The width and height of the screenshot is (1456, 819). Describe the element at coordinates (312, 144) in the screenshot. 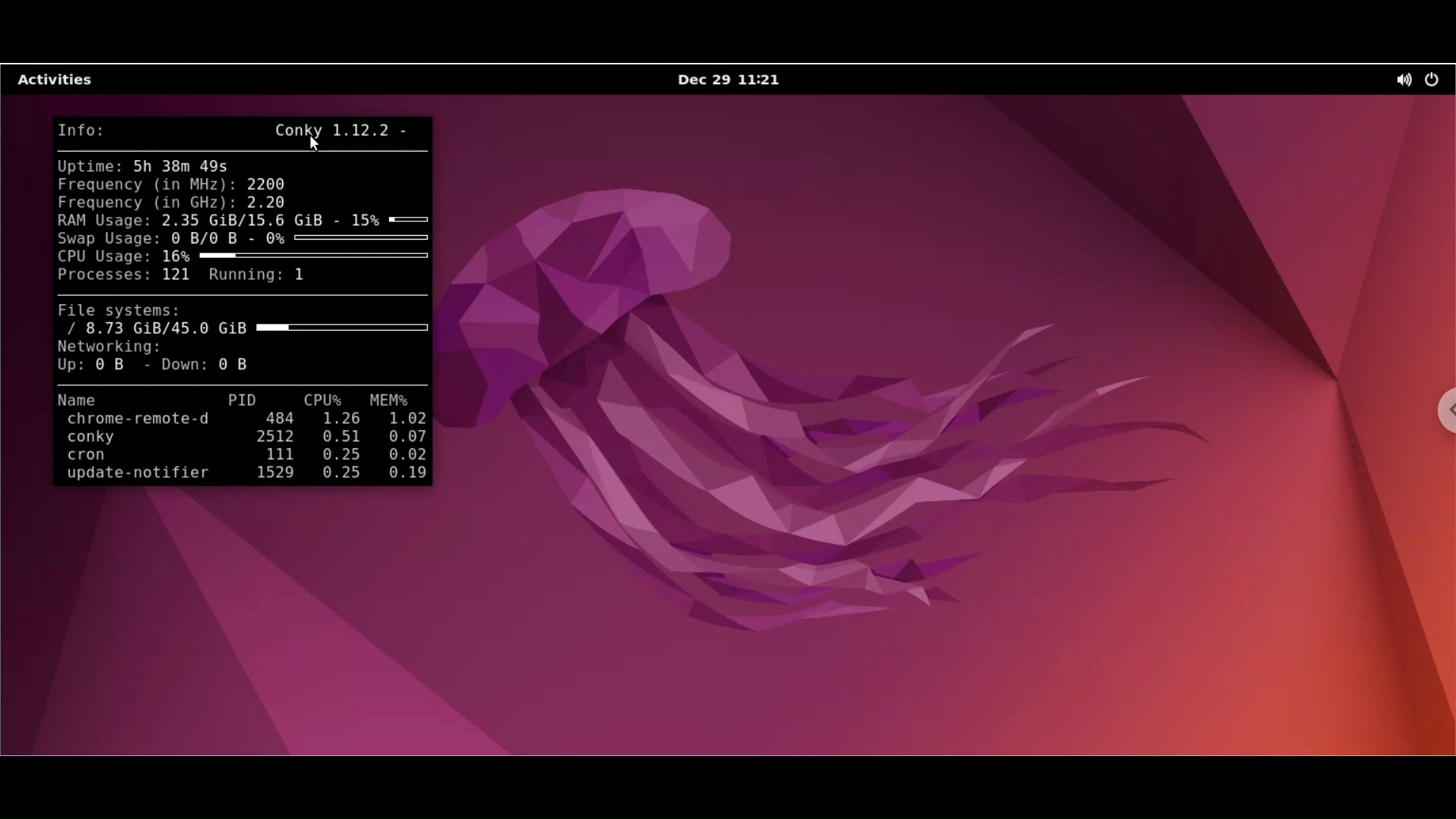

I see `cursor` at that location.